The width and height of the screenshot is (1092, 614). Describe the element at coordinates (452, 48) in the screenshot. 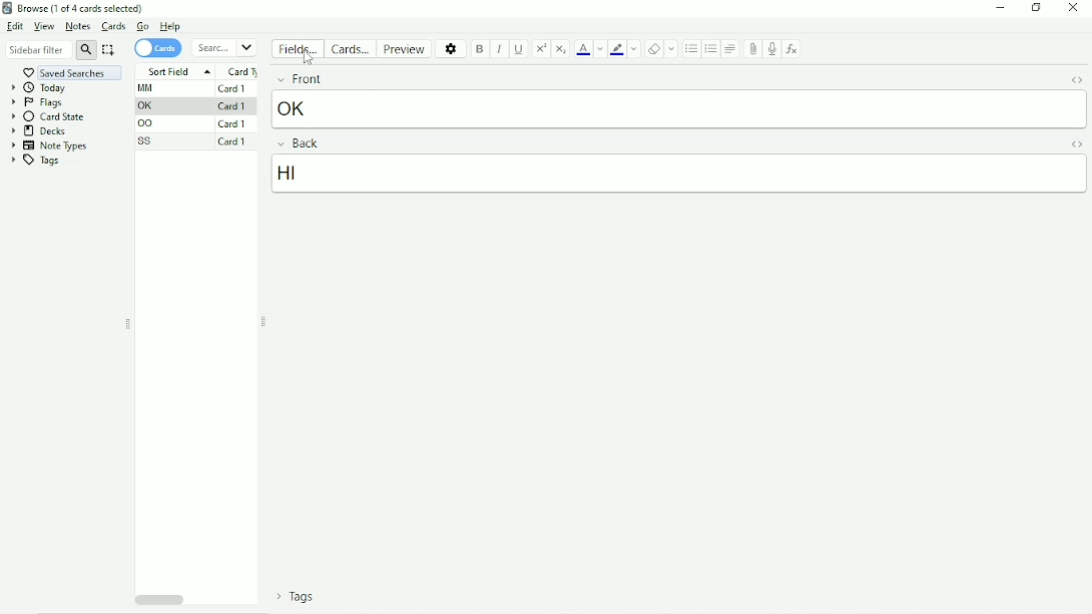

I see `Options` at that location.